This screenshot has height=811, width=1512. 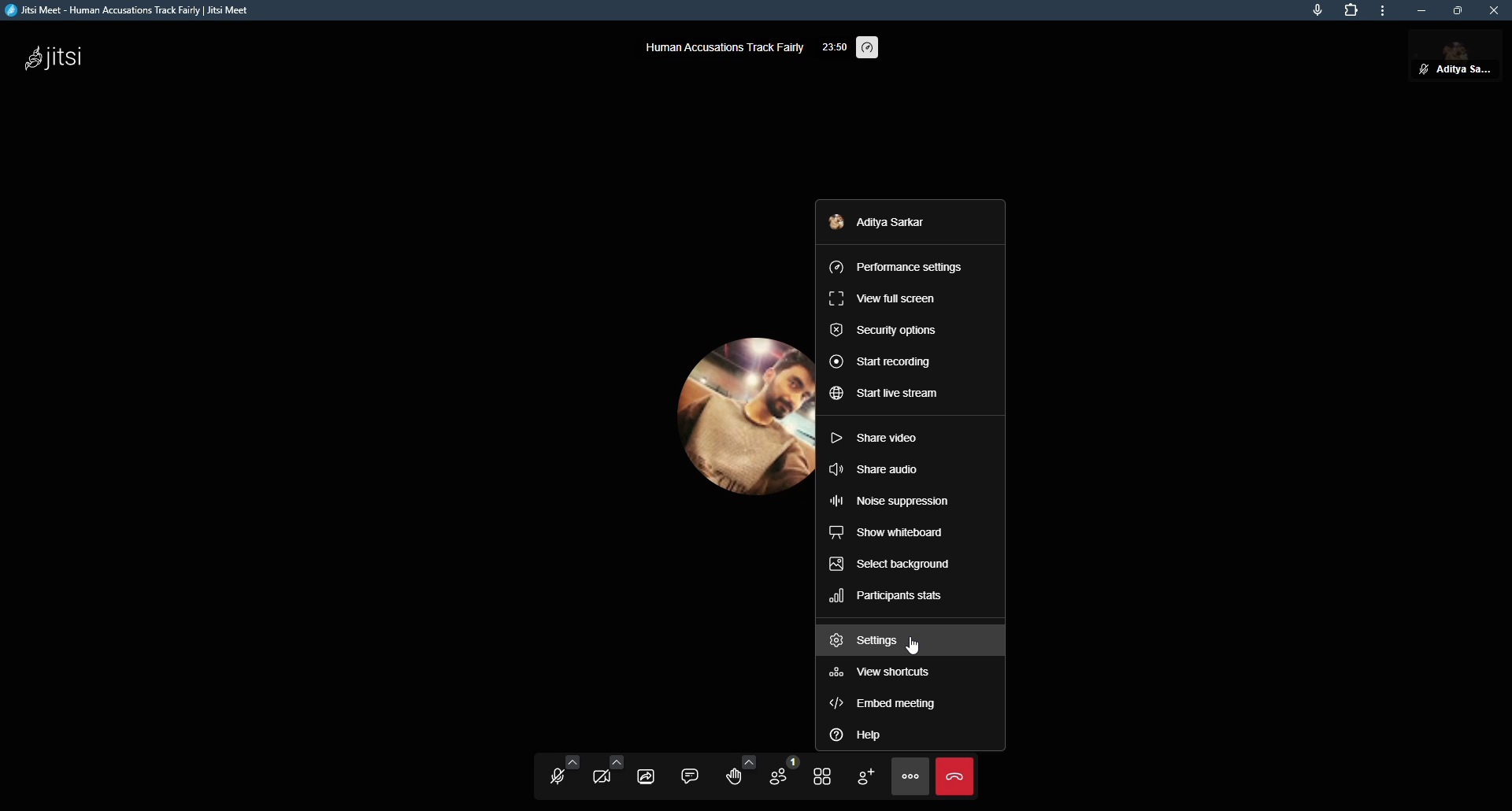 I want to click on profile, so click(x=1467, y=60).